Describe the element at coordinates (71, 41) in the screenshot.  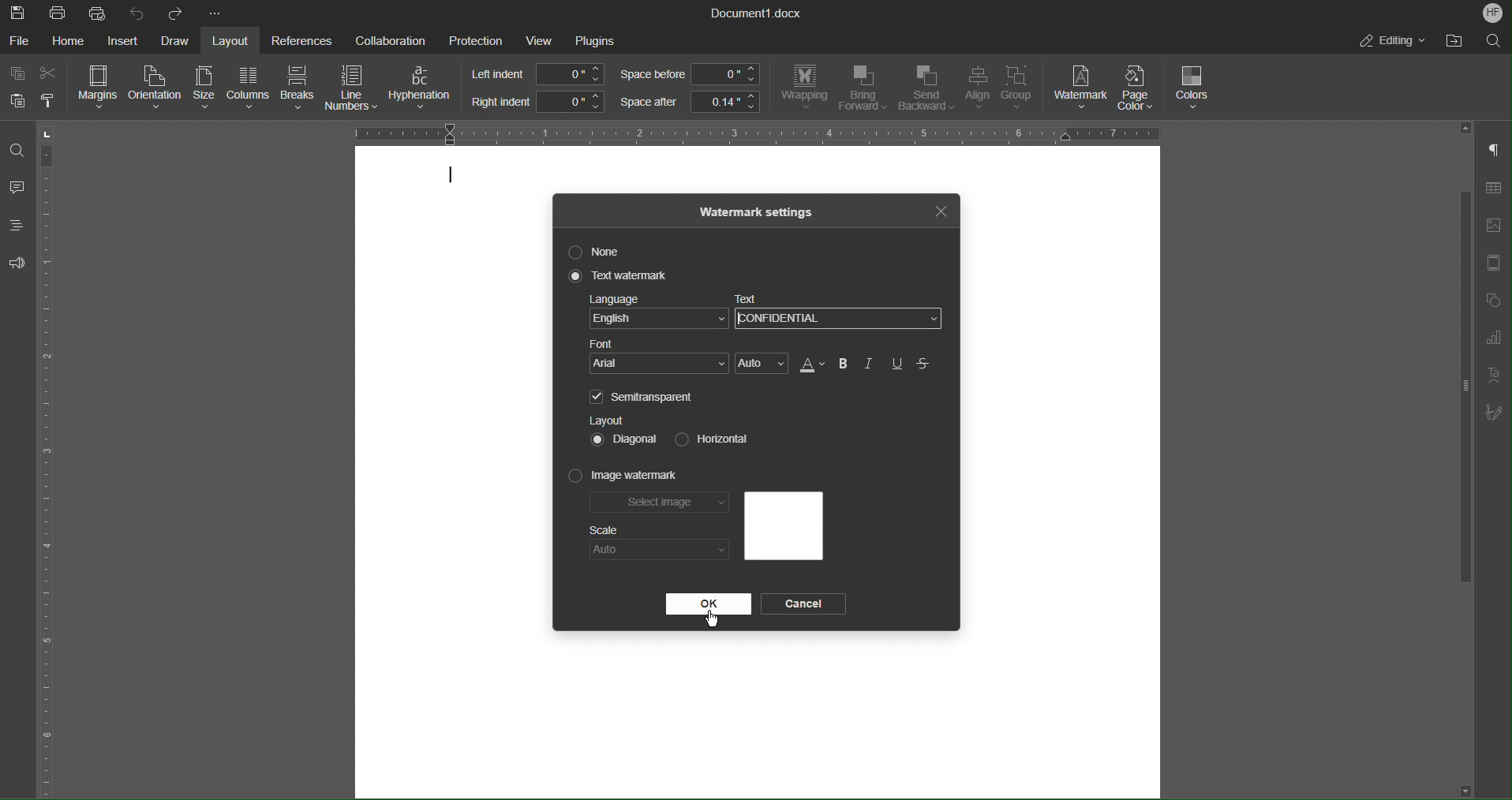
I see `Home` at that location.